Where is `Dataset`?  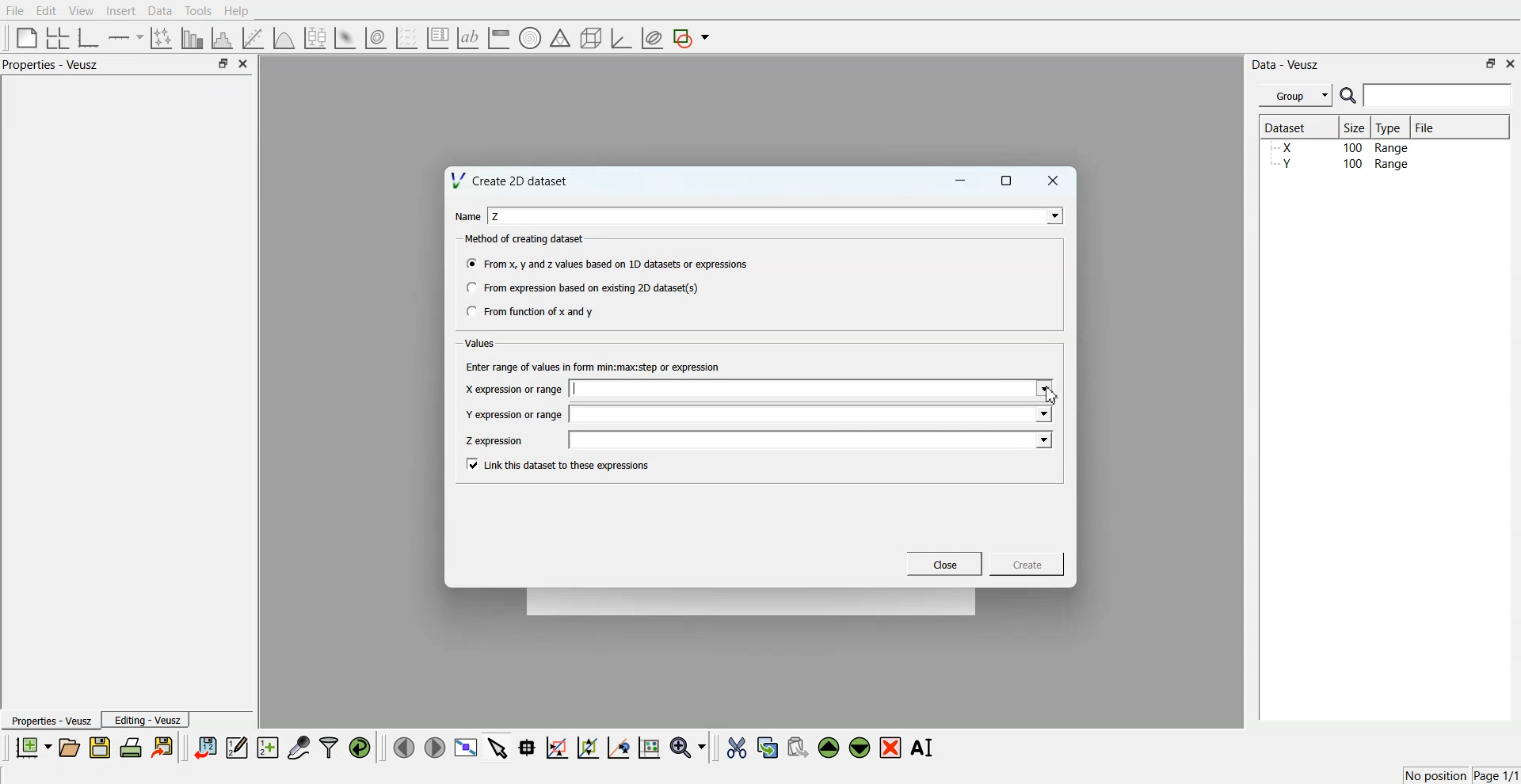
Dataset is located at coordinates (1293, 127).